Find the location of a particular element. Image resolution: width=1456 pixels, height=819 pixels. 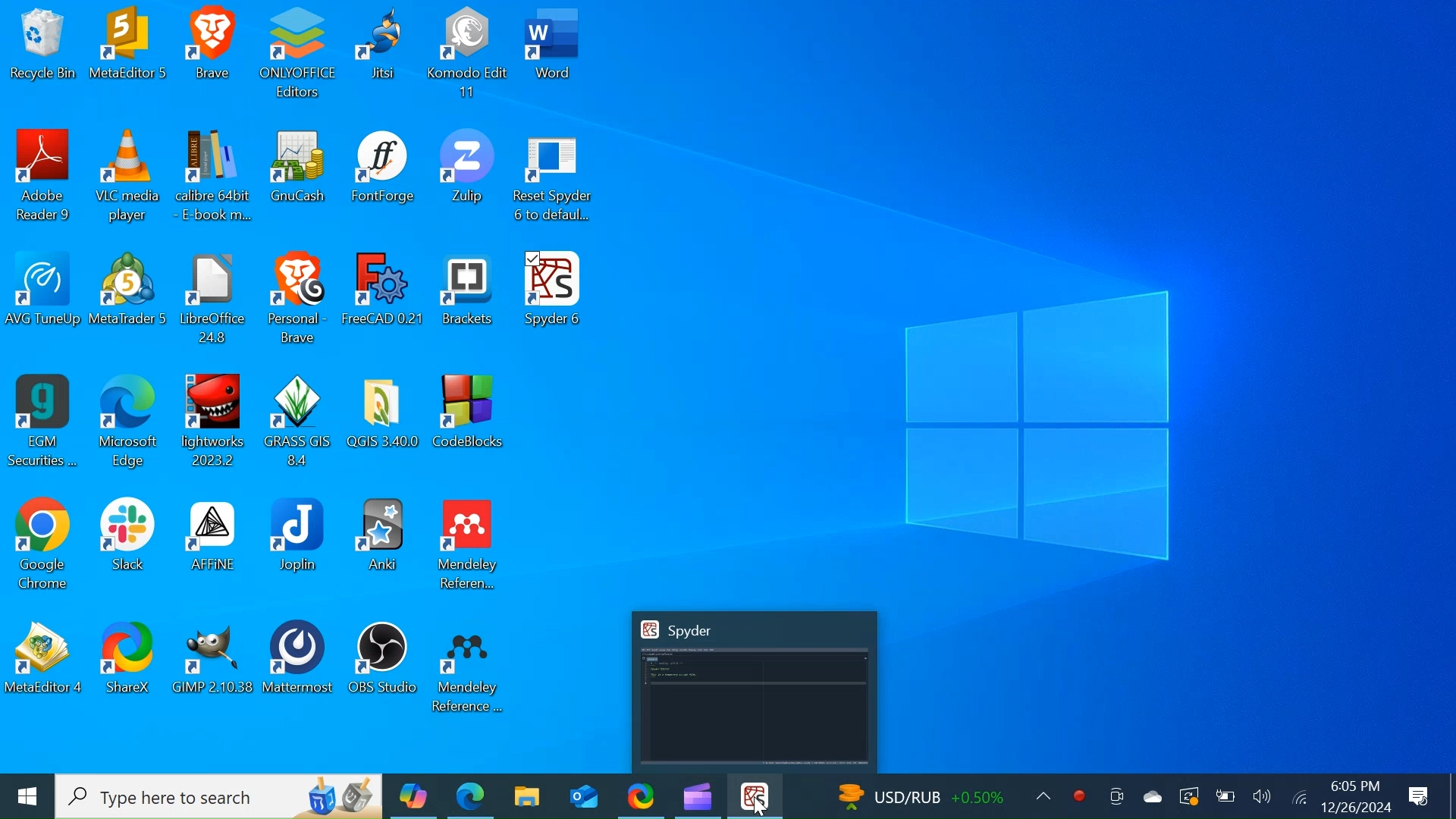

Meta Desktop Icon is located at coordinates (133, 52).